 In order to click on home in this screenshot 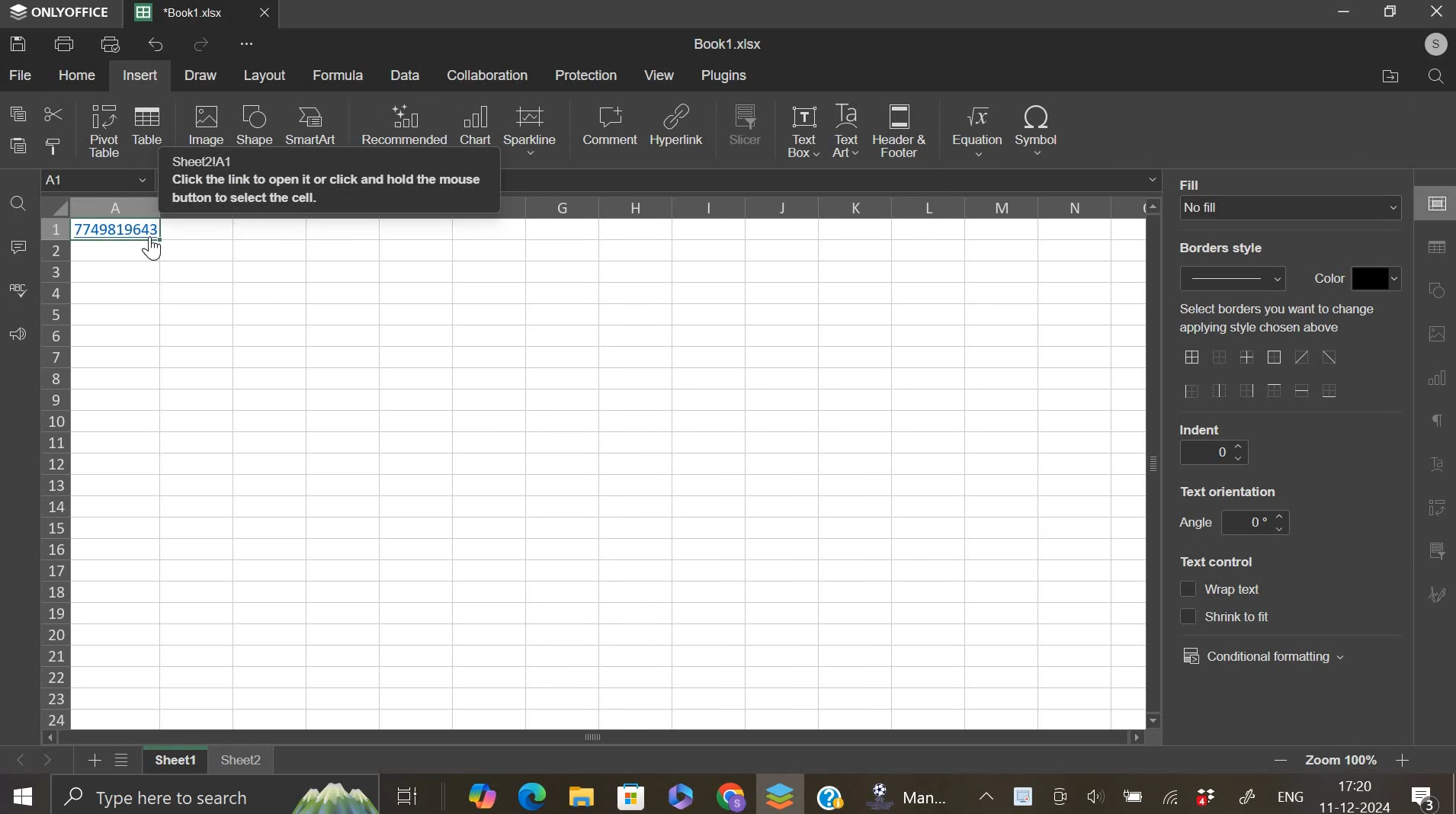, I will do `click(75, 75)`.